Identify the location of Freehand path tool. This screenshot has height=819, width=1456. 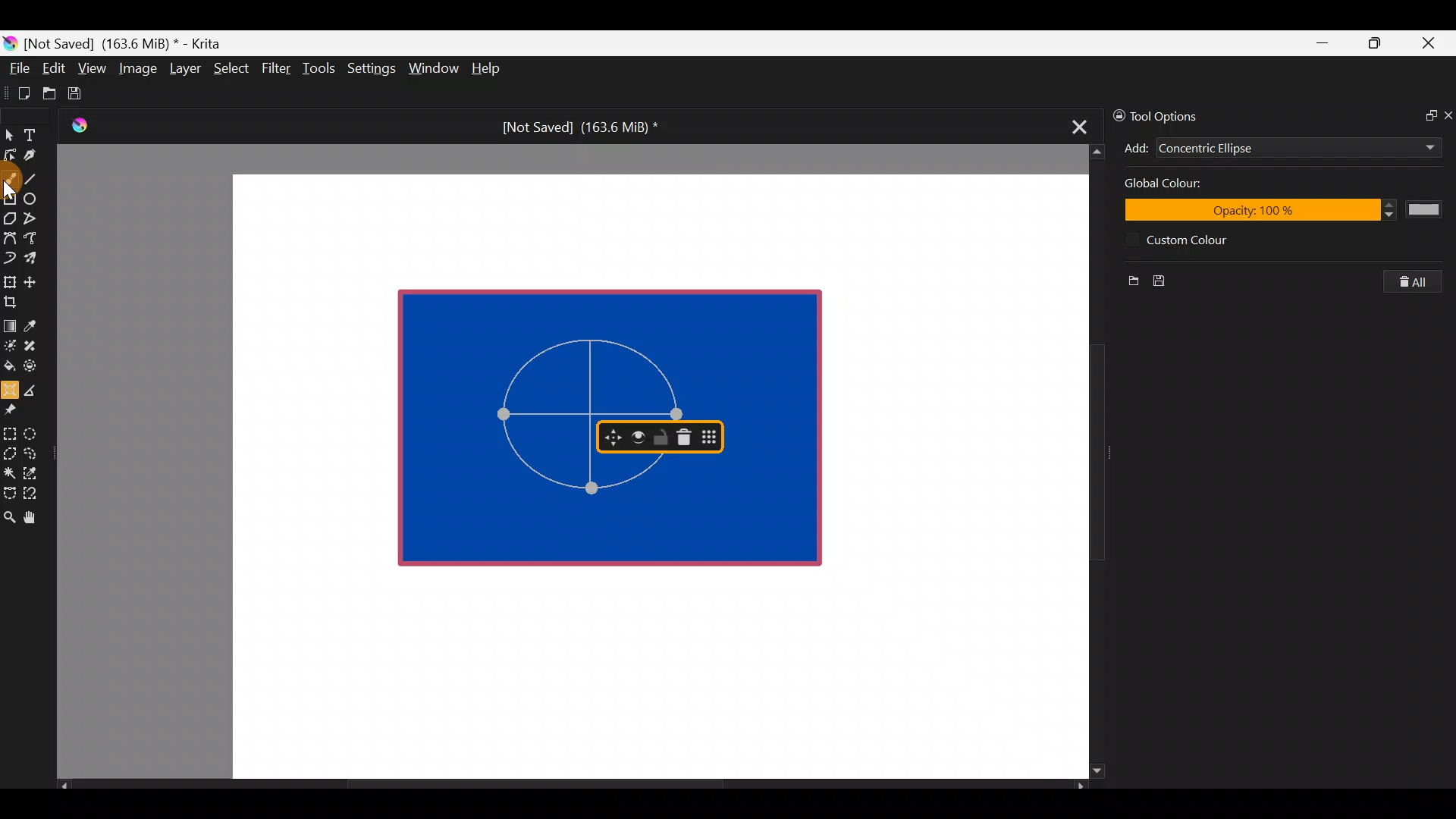
(38, 240).